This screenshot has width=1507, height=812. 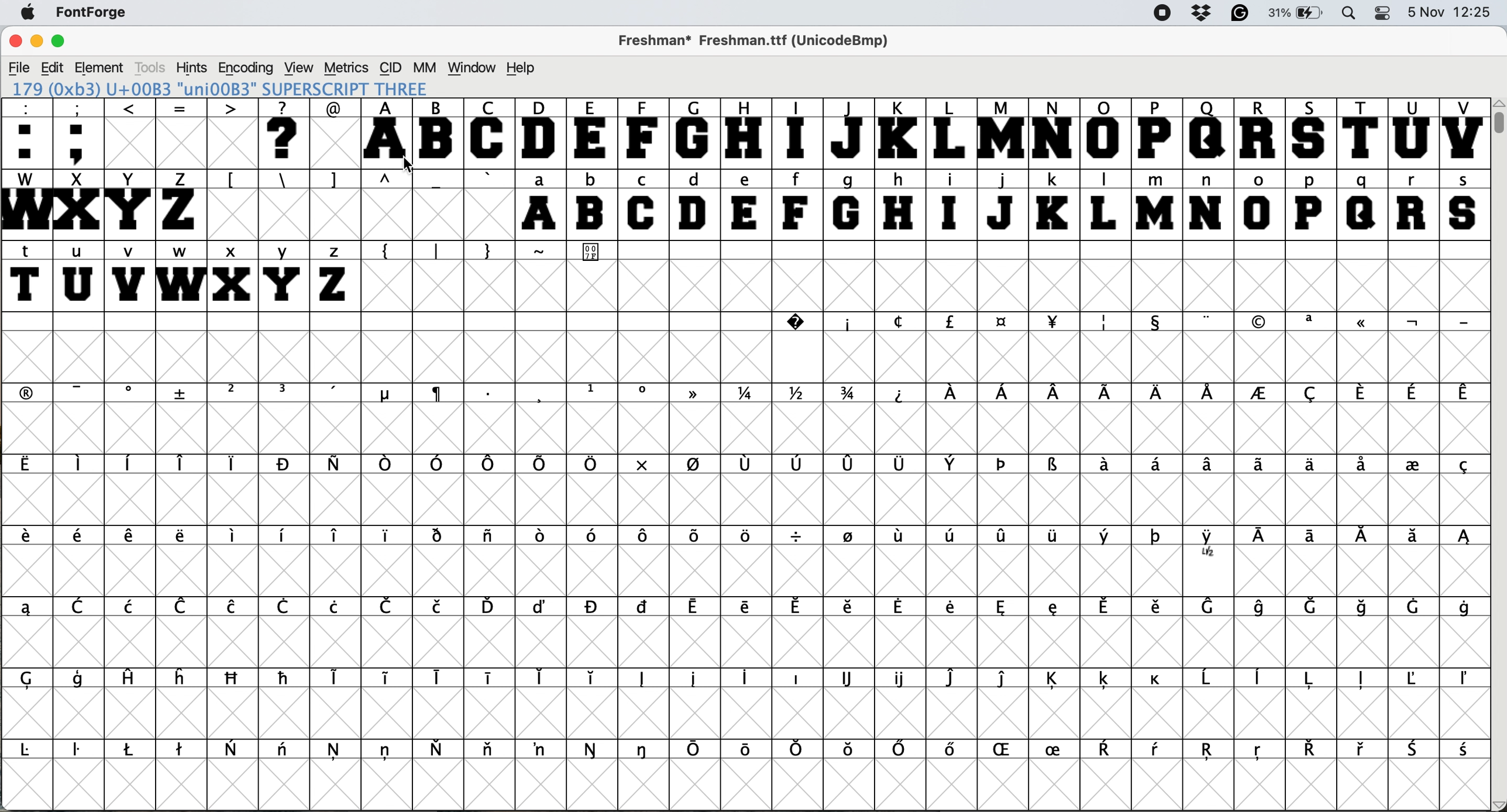 I want to click on symbol, so click(x=333, y=676).